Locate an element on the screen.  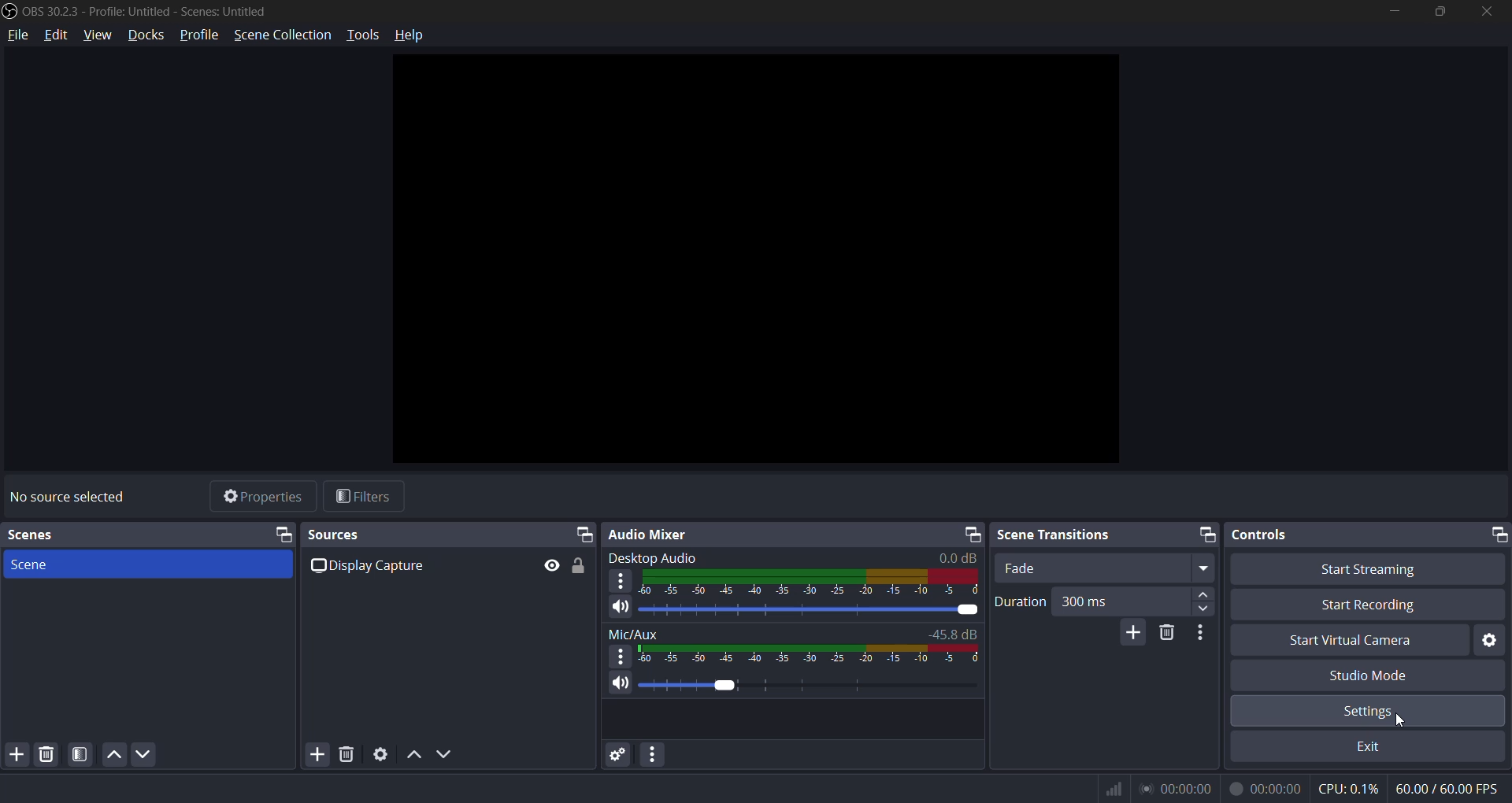
file is located at coordinates (16, 35).